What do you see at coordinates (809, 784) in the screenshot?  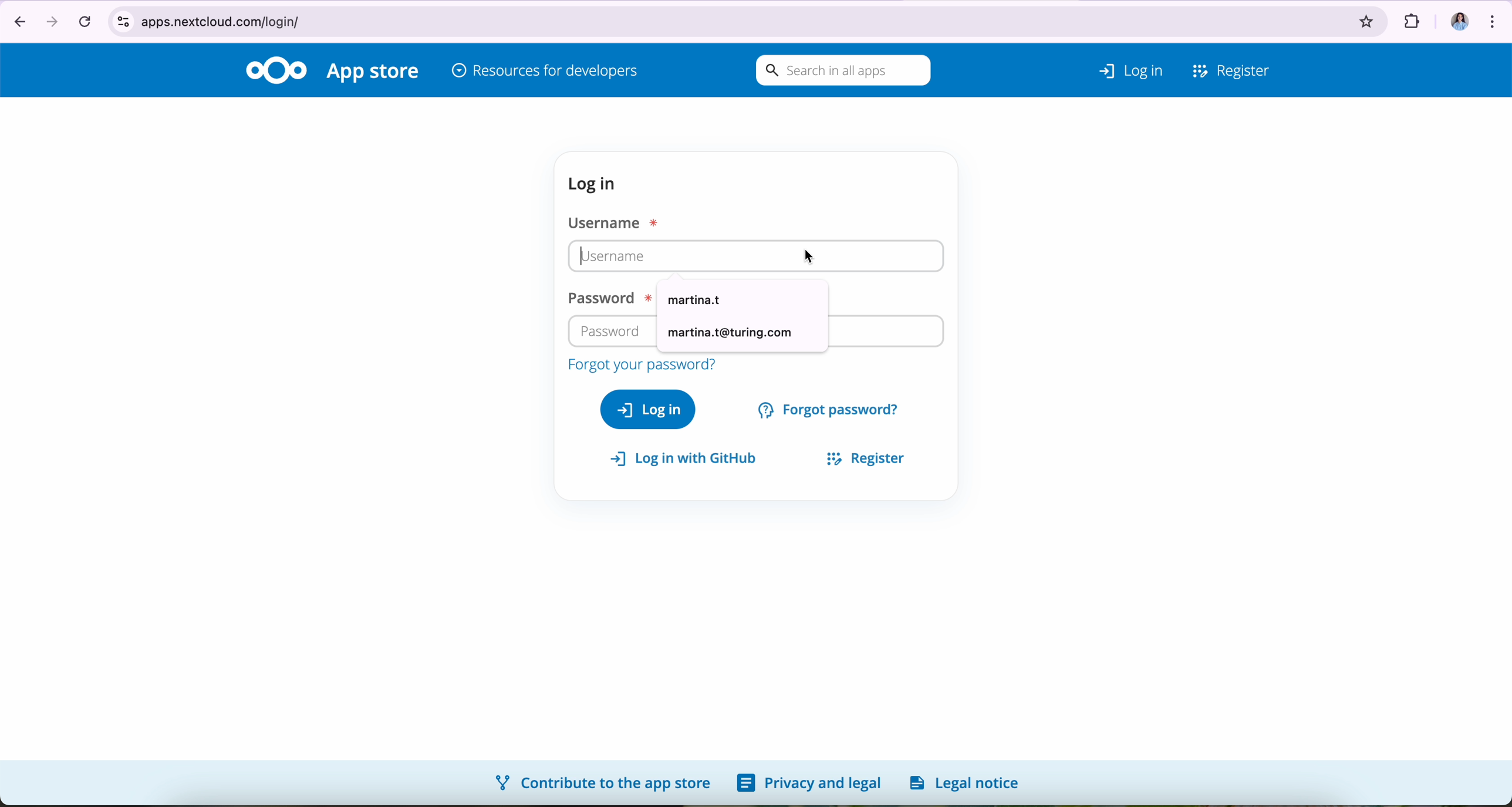 I see `privacy and legal` at bounding box center [809, 784].